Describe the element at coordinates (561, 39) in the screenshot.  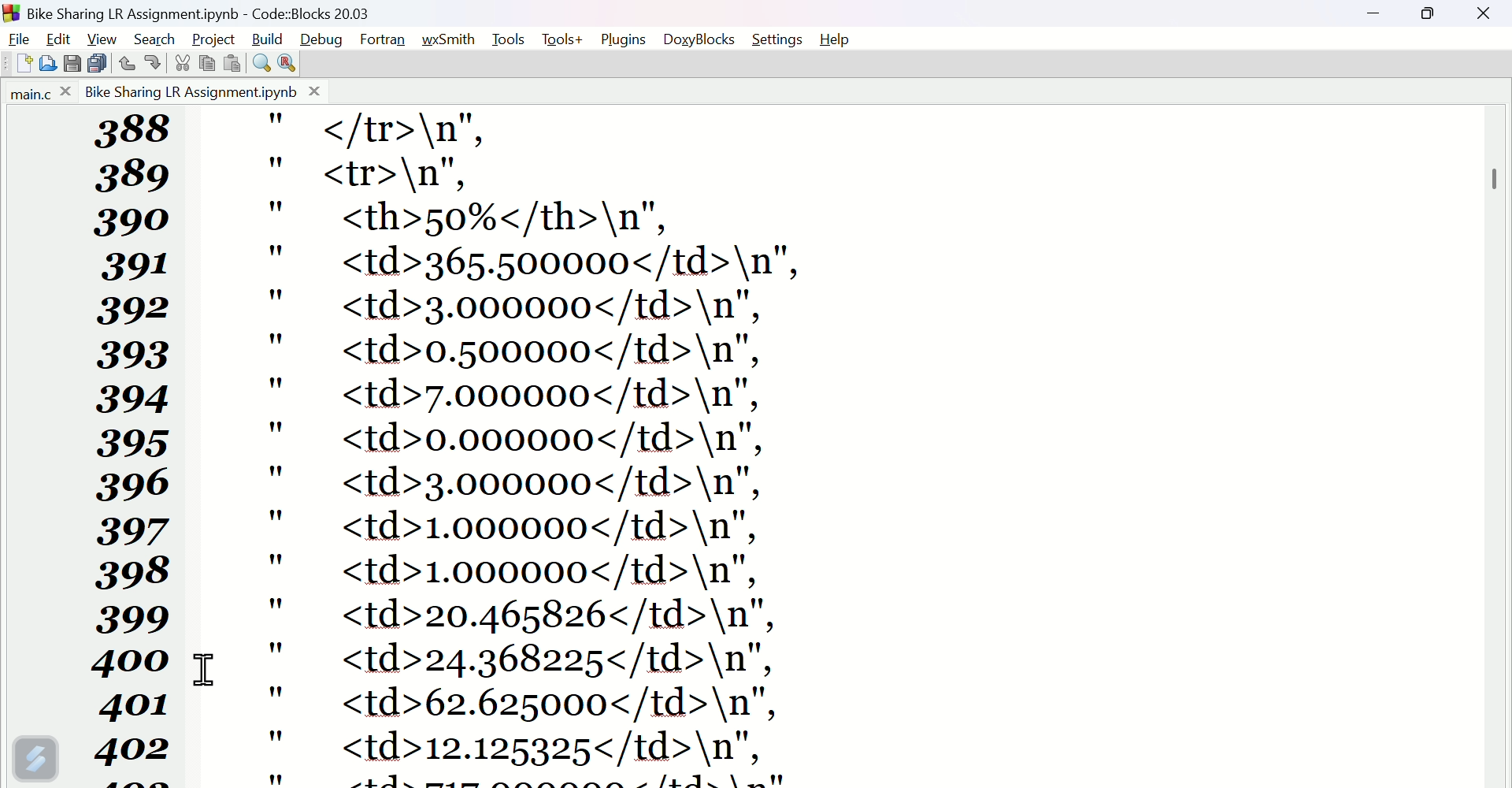
I see `Tools` at that location.